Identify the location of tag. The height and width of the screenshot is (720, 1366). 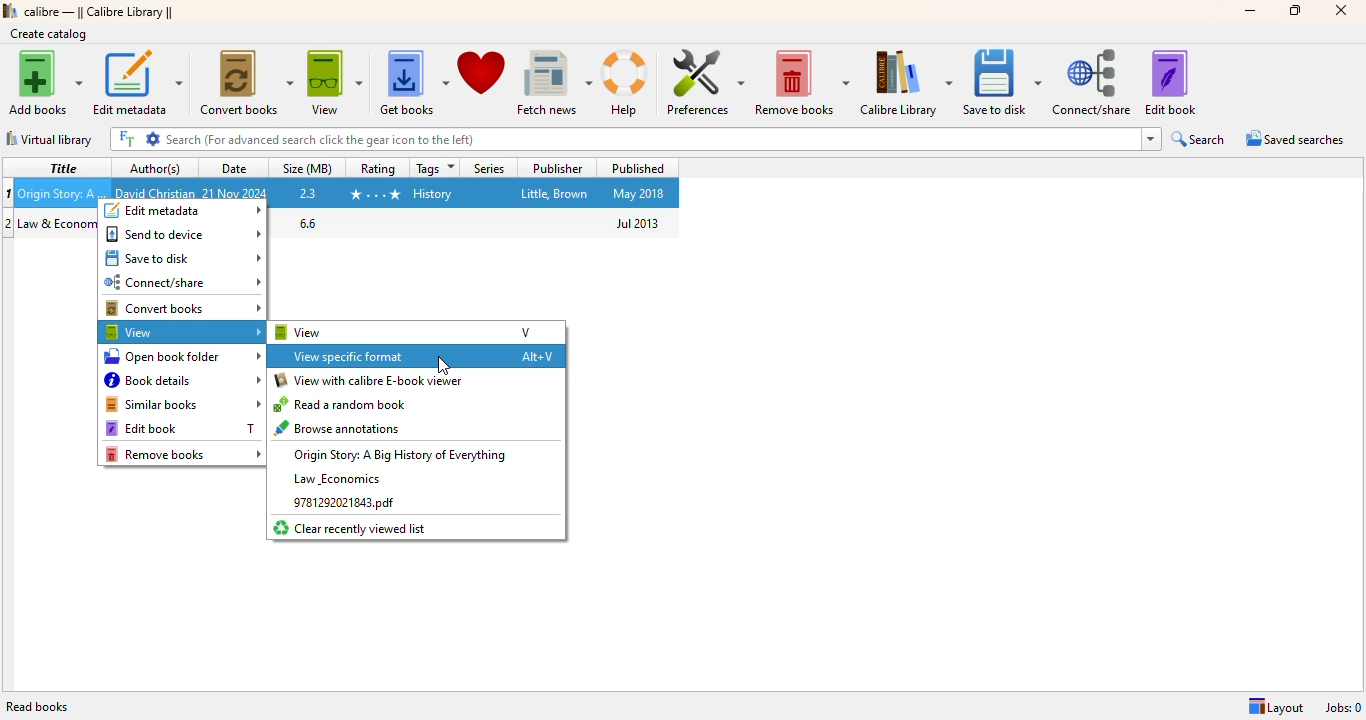
(433, 194).